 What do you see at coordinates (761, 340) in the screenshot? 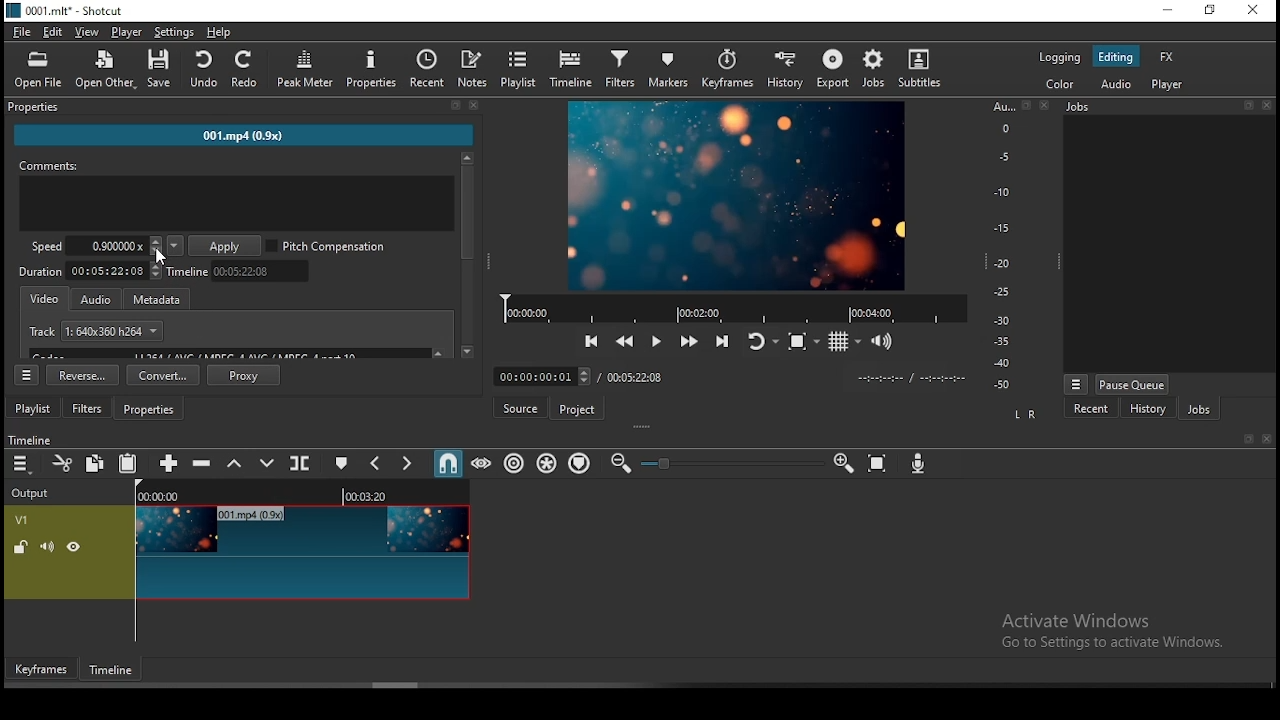
I see `toggle player looping` at bounding box center [761, 340].